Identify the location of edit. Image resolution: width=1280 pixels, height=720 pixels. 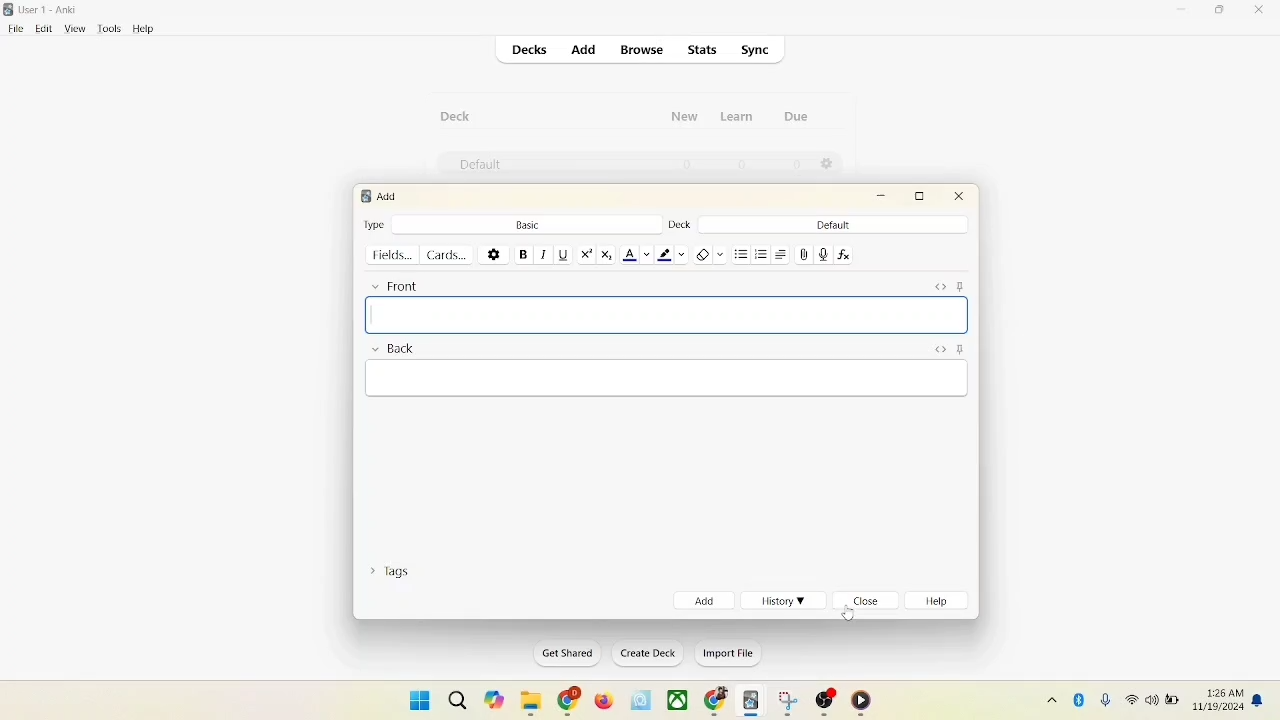
(41, 28).